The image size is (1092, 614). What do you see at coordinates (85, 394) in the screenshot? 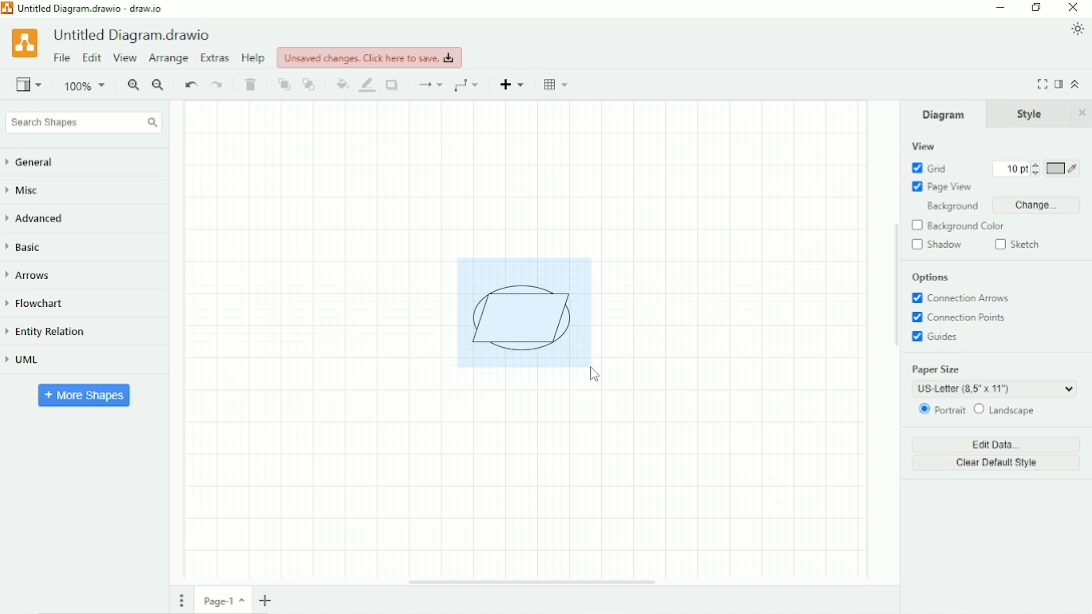
I see `More shapes` at bounding box center [85, 394].